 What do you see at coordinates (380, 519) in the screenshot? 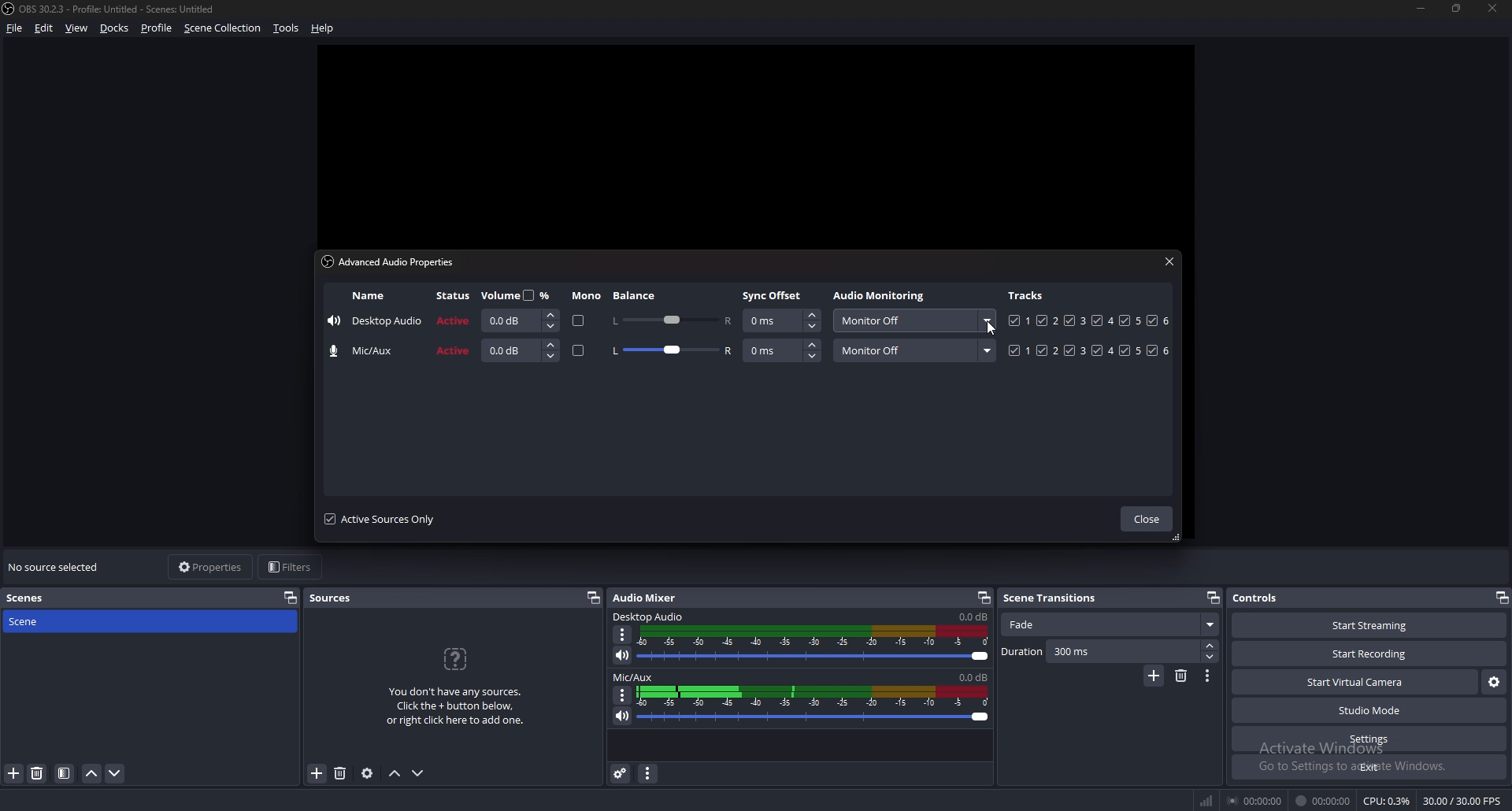
I see `active sources only` at bounding box center [380, 519].